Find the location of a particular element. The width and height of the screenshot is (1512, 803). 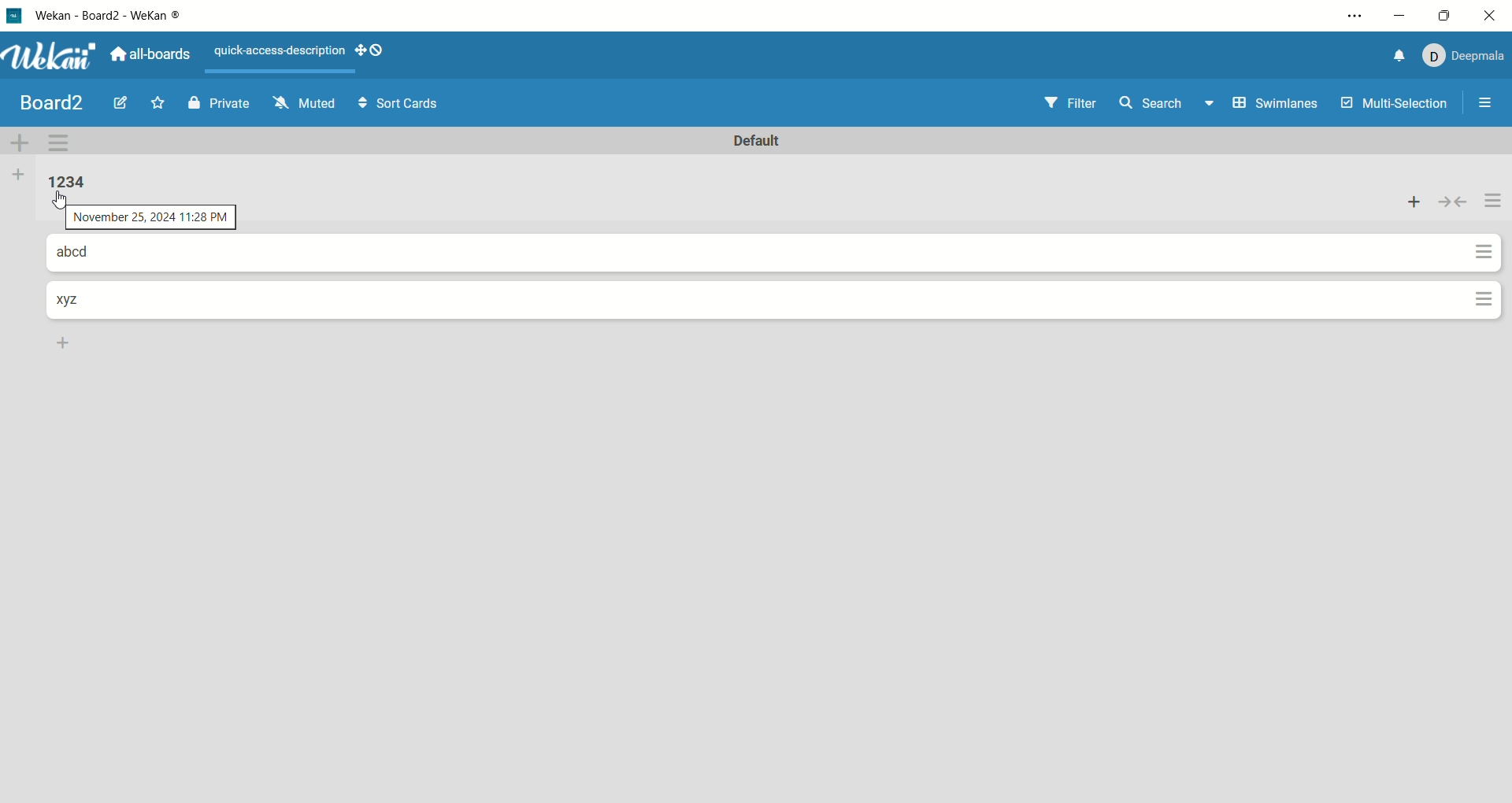

muted is located at coordinates (301, 102).